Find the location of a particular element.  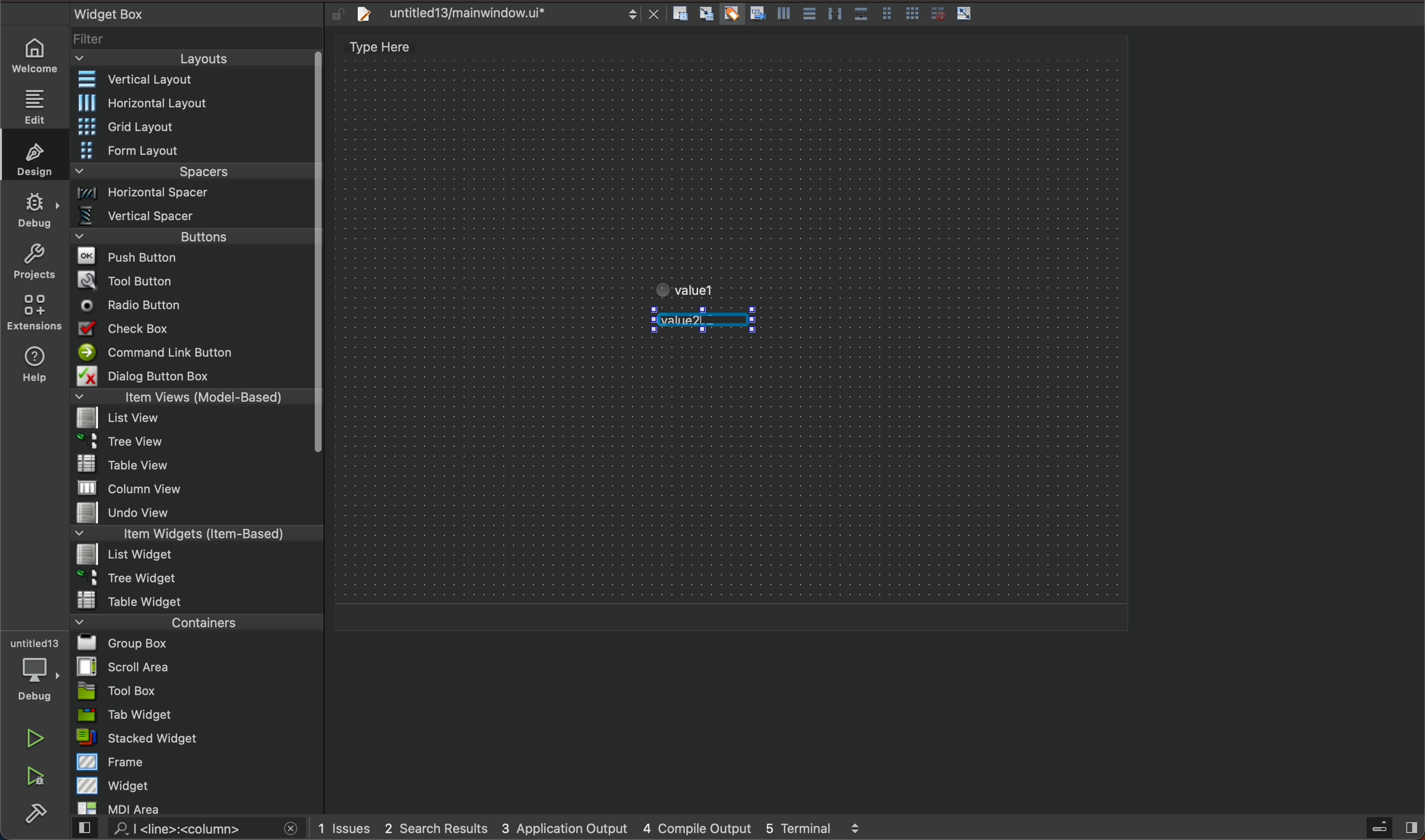

vertical spacer is located at coordinates (192, 218).